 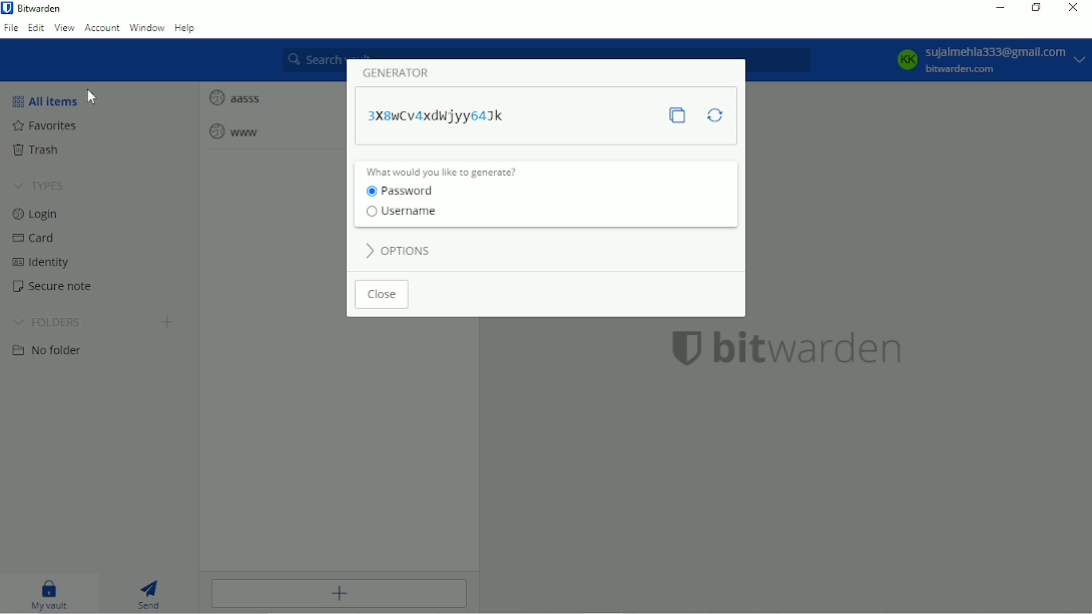 I want to click on Send, so click(x=152, y=594).